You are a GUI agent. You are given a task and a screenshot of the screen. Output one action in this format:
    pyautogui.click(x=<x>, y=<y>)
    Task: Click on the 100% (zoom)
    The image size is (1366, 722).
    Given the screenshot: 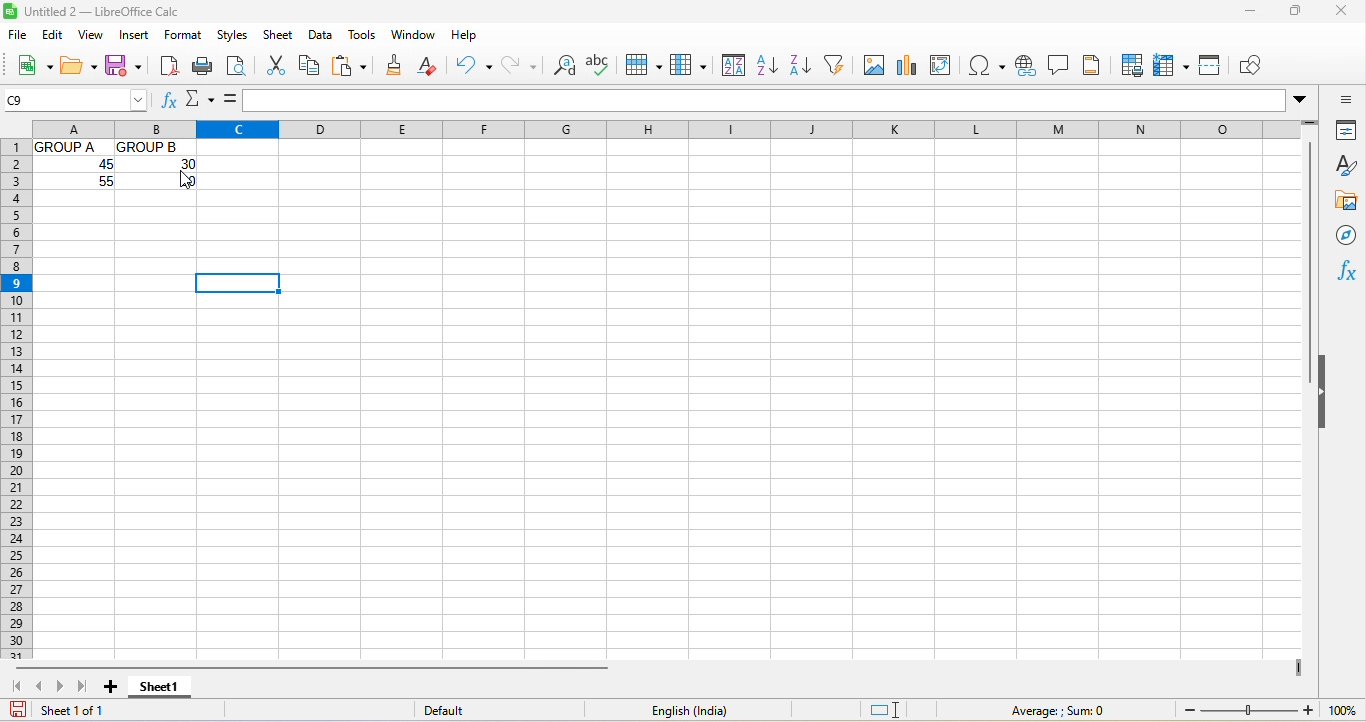 What is the action you would take?
    pyautogui.click(x=1346, y=711)
    